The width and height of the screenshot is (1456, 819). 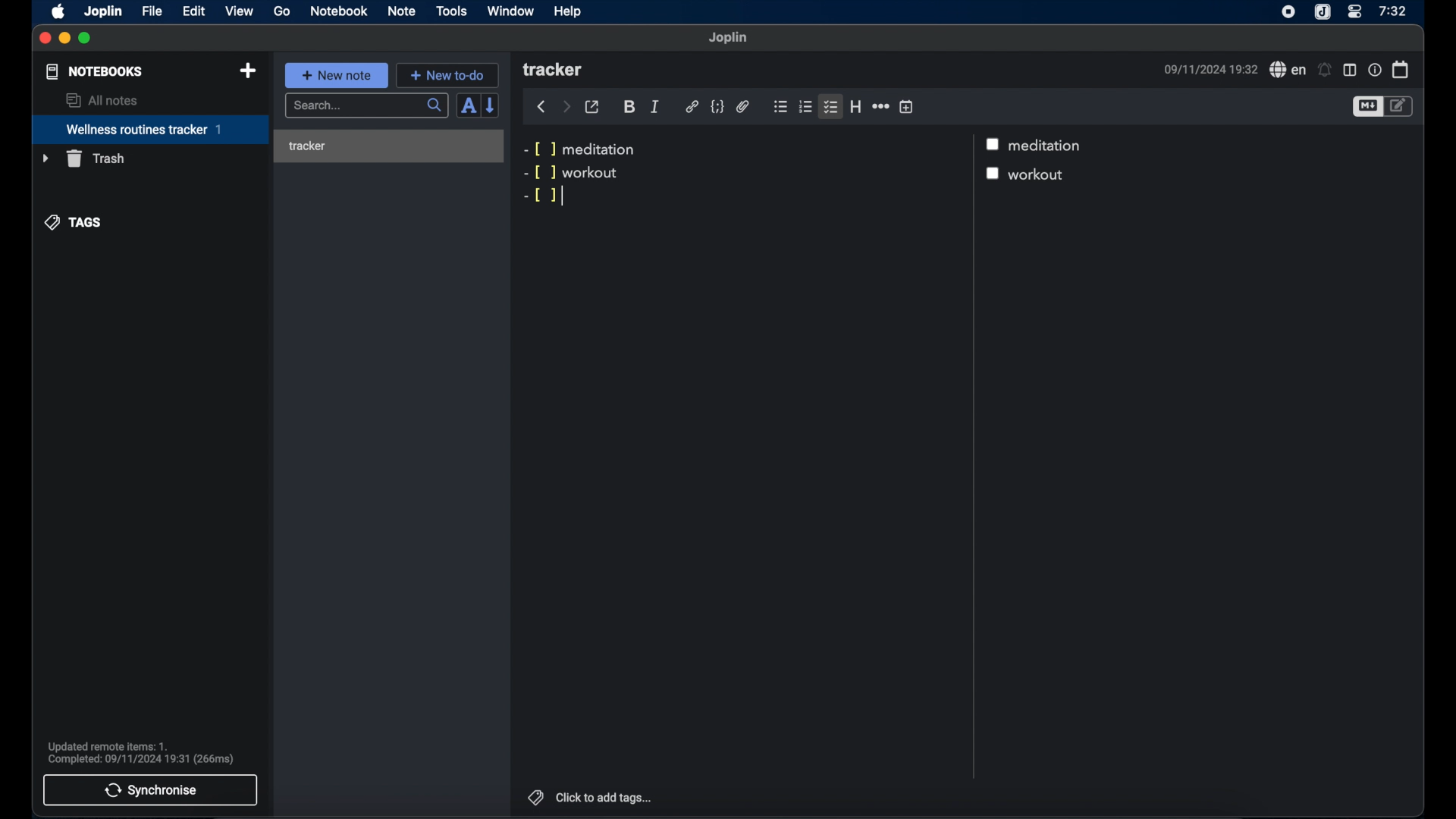 I want to click on horizontal rule, so click(x=880, y=106).